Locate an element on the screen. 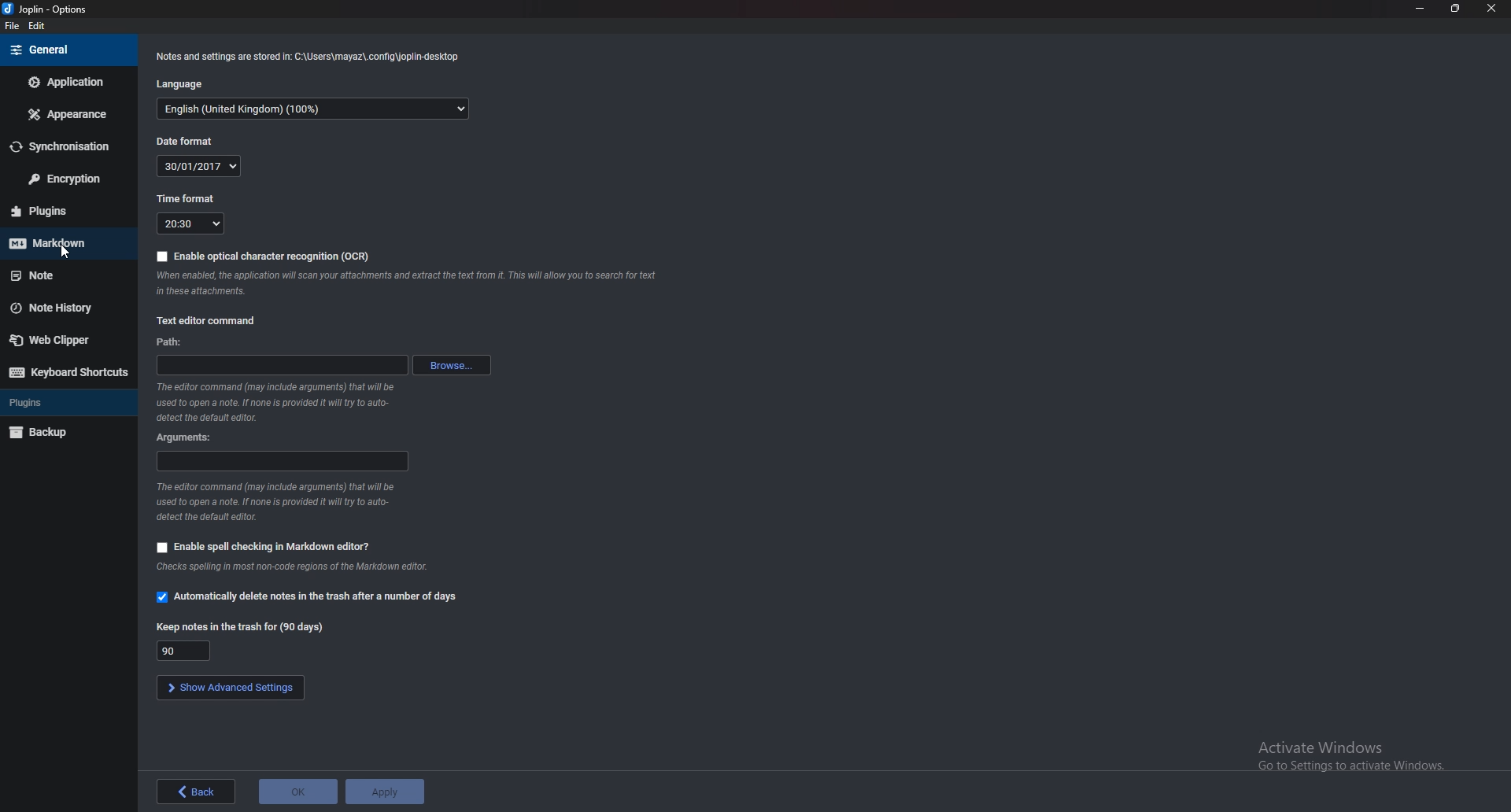  90 is located at coordinates (183, 650).